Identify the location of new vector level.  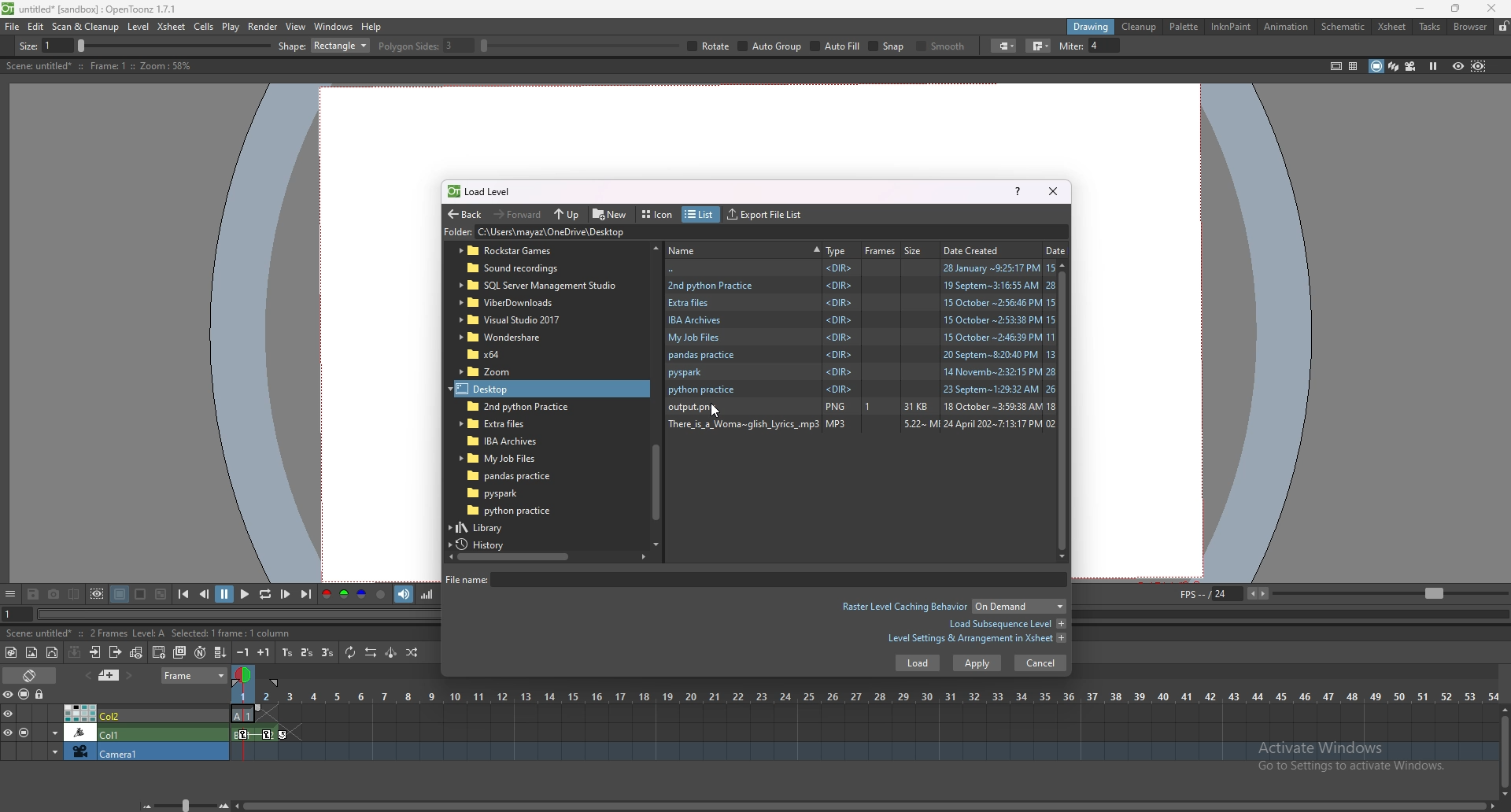
(53, 653).